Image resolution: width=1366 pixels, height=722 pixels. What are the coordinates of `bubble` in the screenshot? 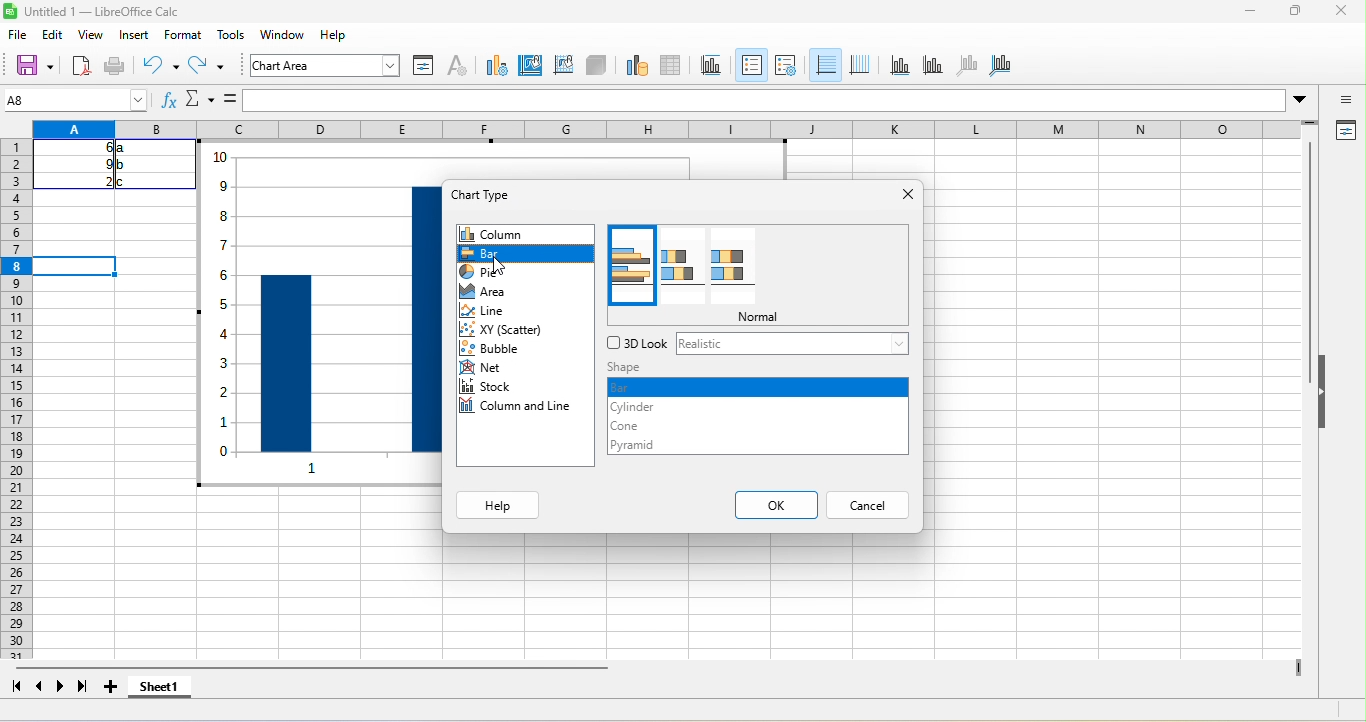 It's located at (497, 352).